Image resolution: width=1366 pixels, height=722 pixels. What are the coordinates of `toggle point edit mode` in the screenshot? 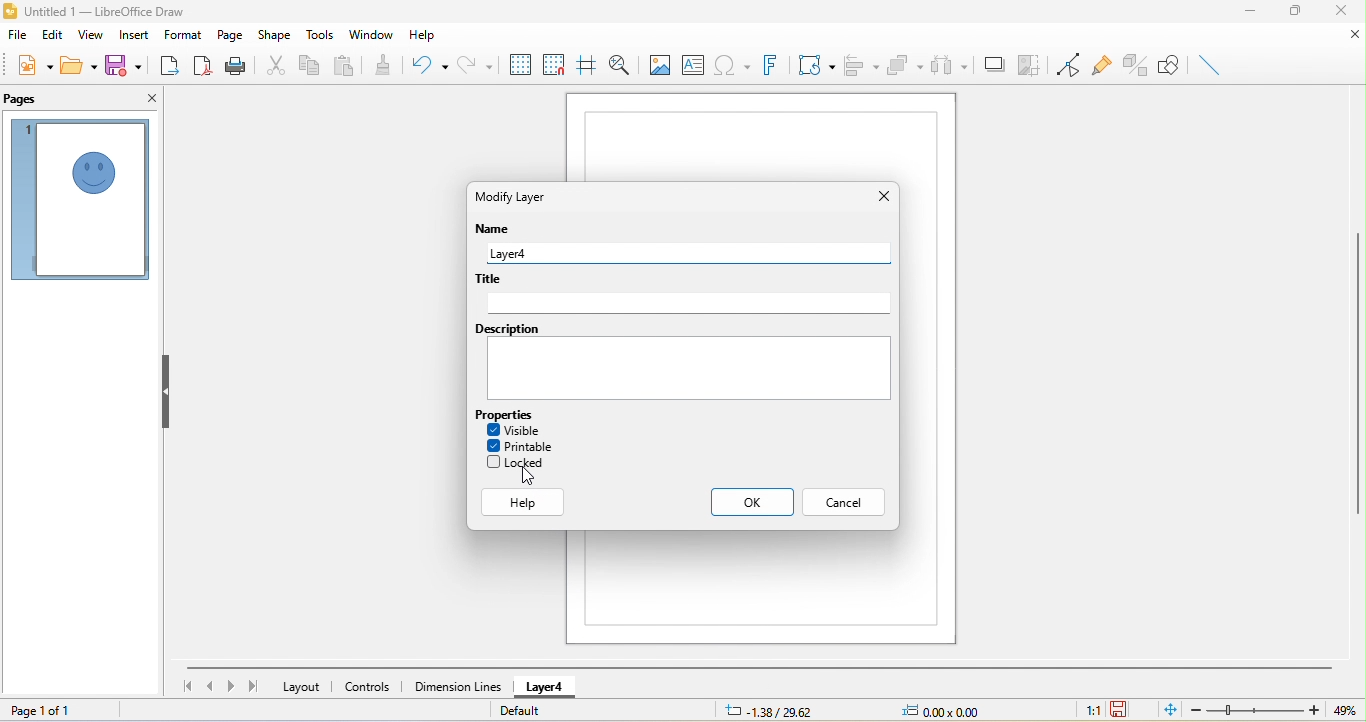 It's located at (1068, 66).